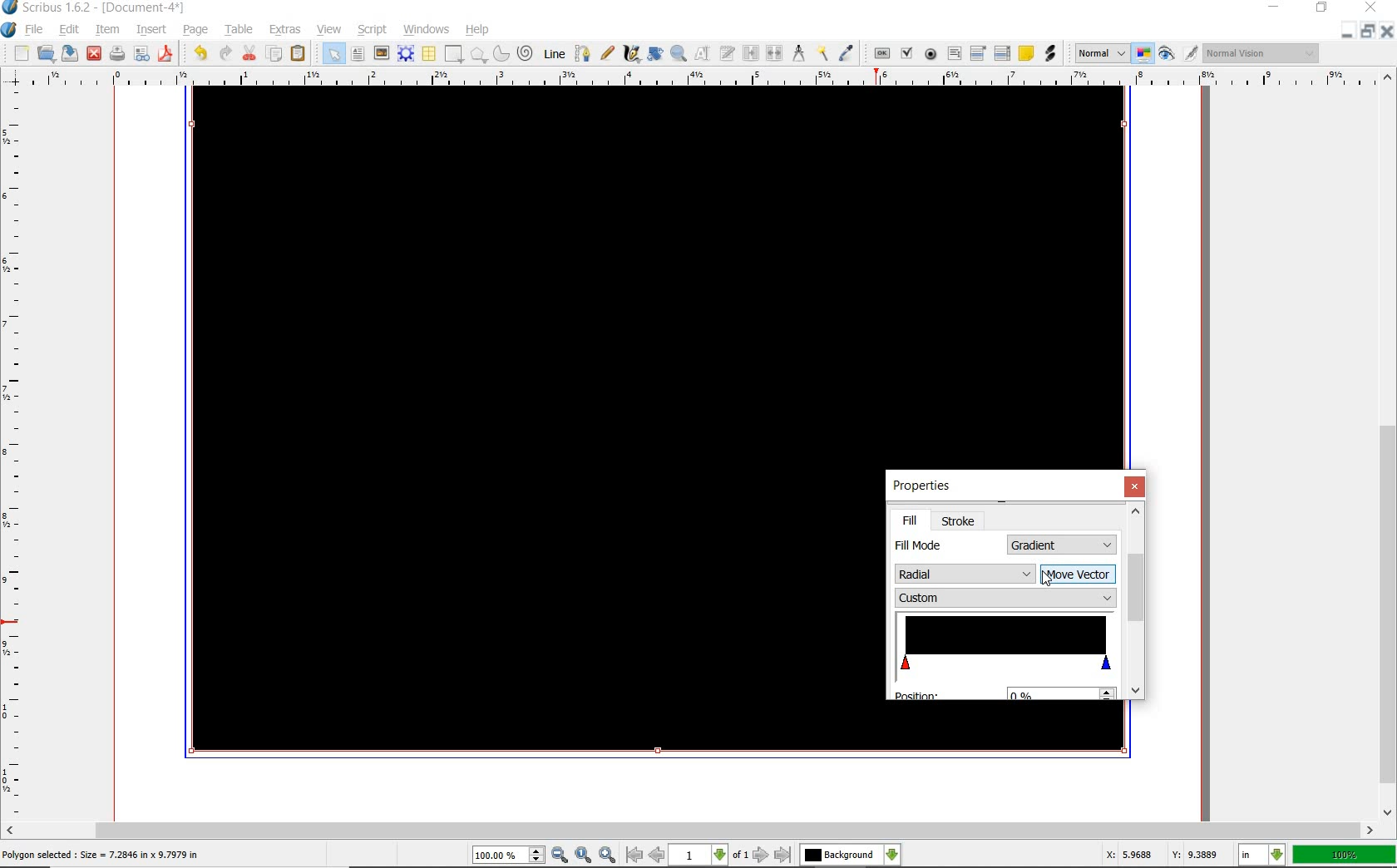  I want to click on of 1, so click(742, 856).